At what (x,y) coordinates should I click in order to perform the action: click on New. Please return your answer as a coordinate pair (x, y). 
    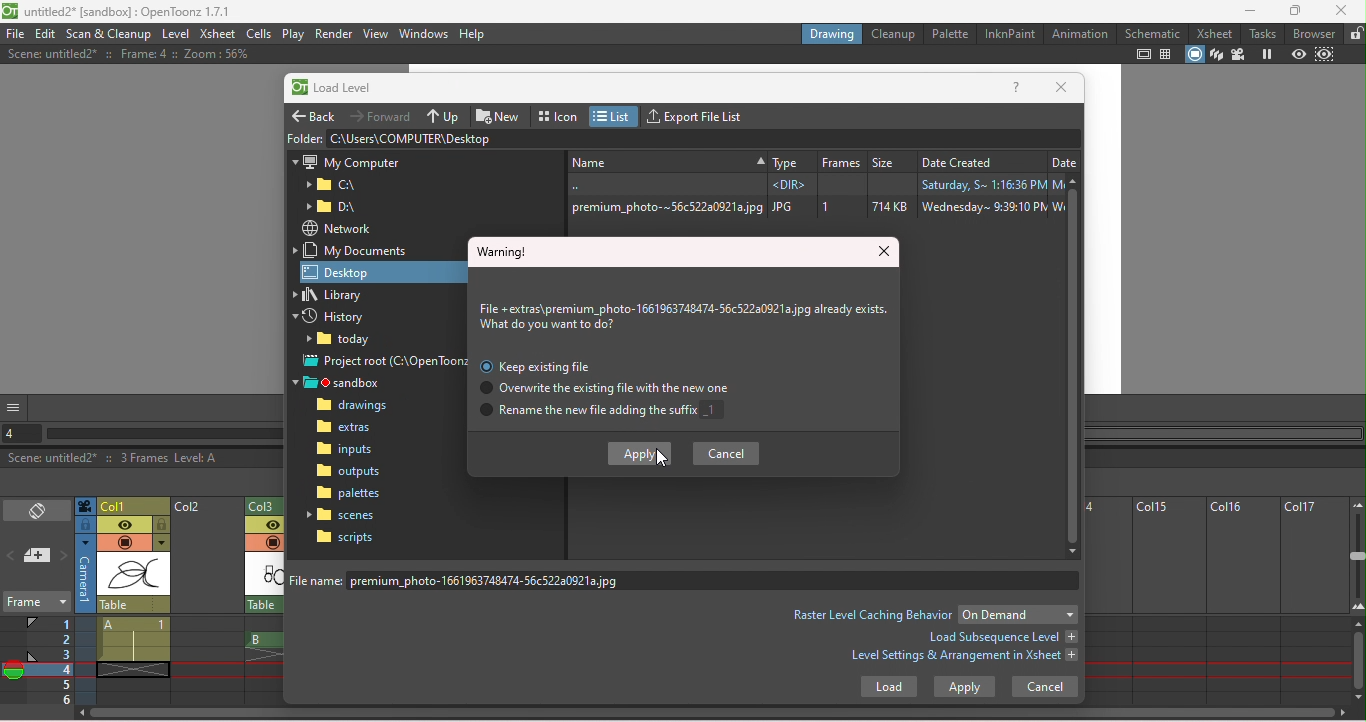
    Looking at the image, I should click on (501, 114).